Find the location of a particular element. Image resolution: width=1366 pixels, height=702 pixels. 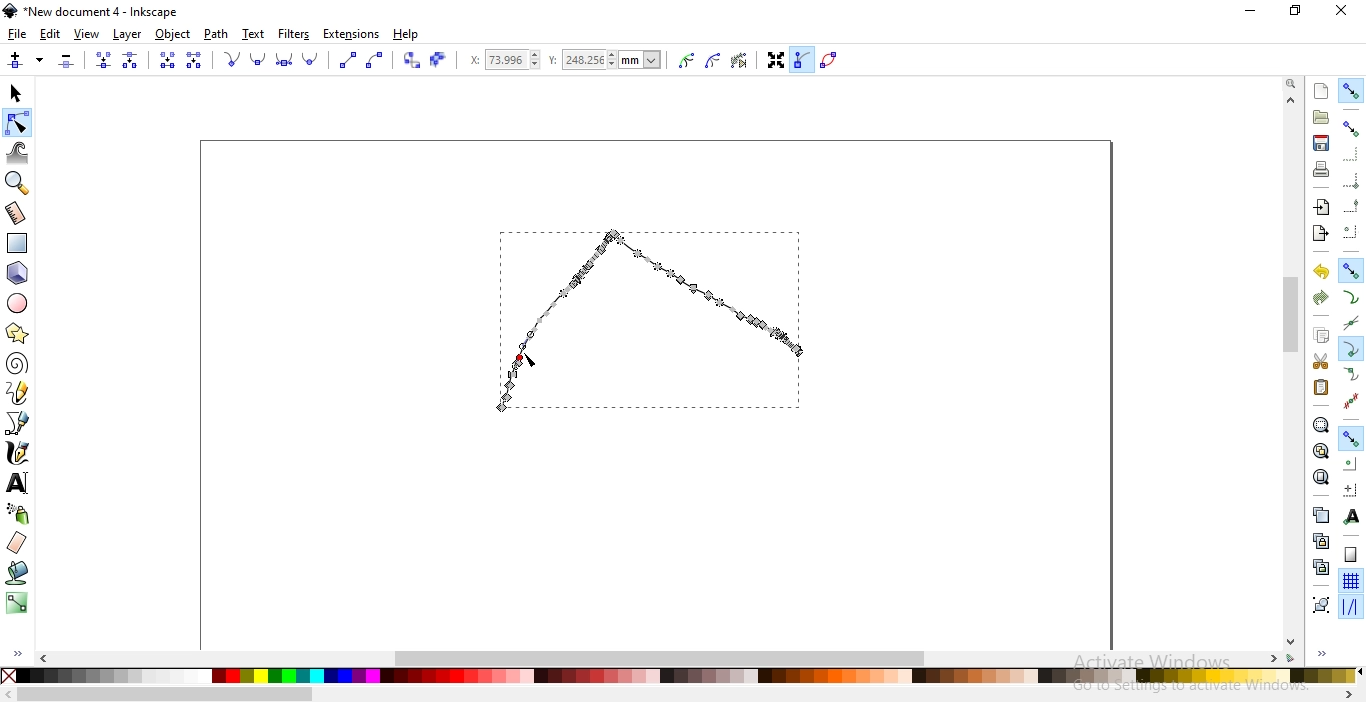

show clipping paths of selected objects is located at coordinates (687, 61).